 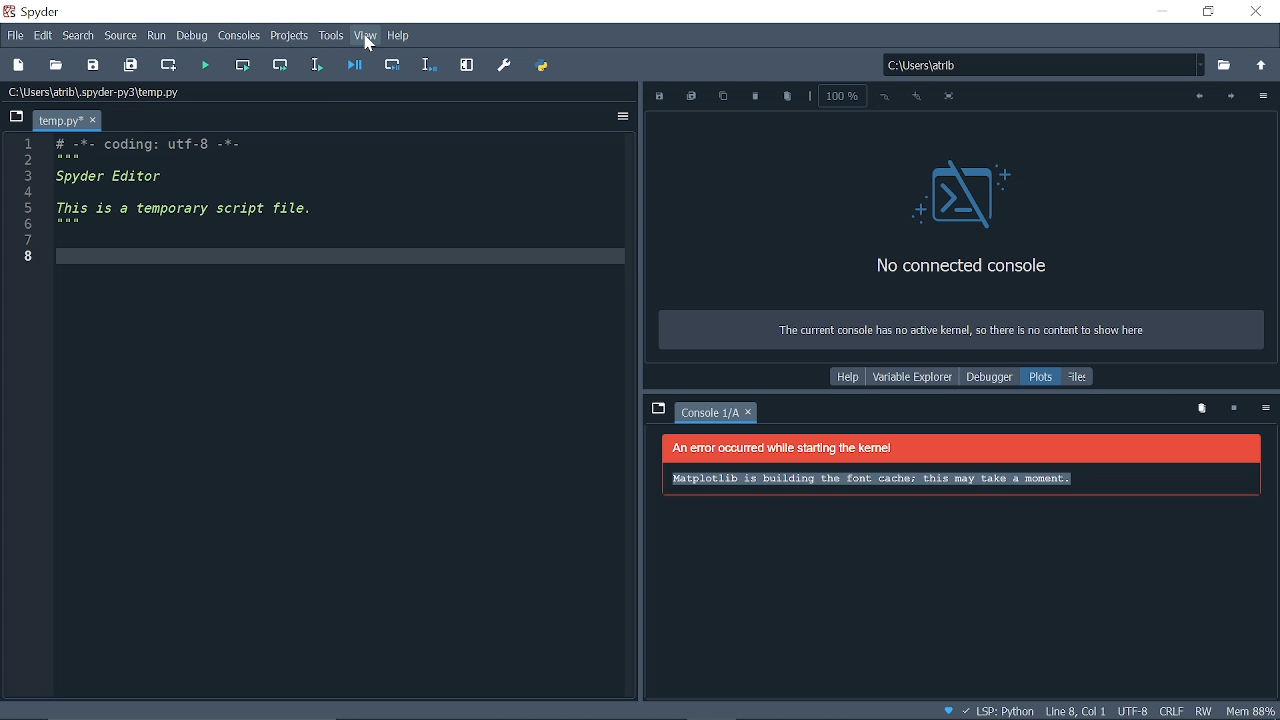 I want to click on Projects, so click(x=290, y=38).